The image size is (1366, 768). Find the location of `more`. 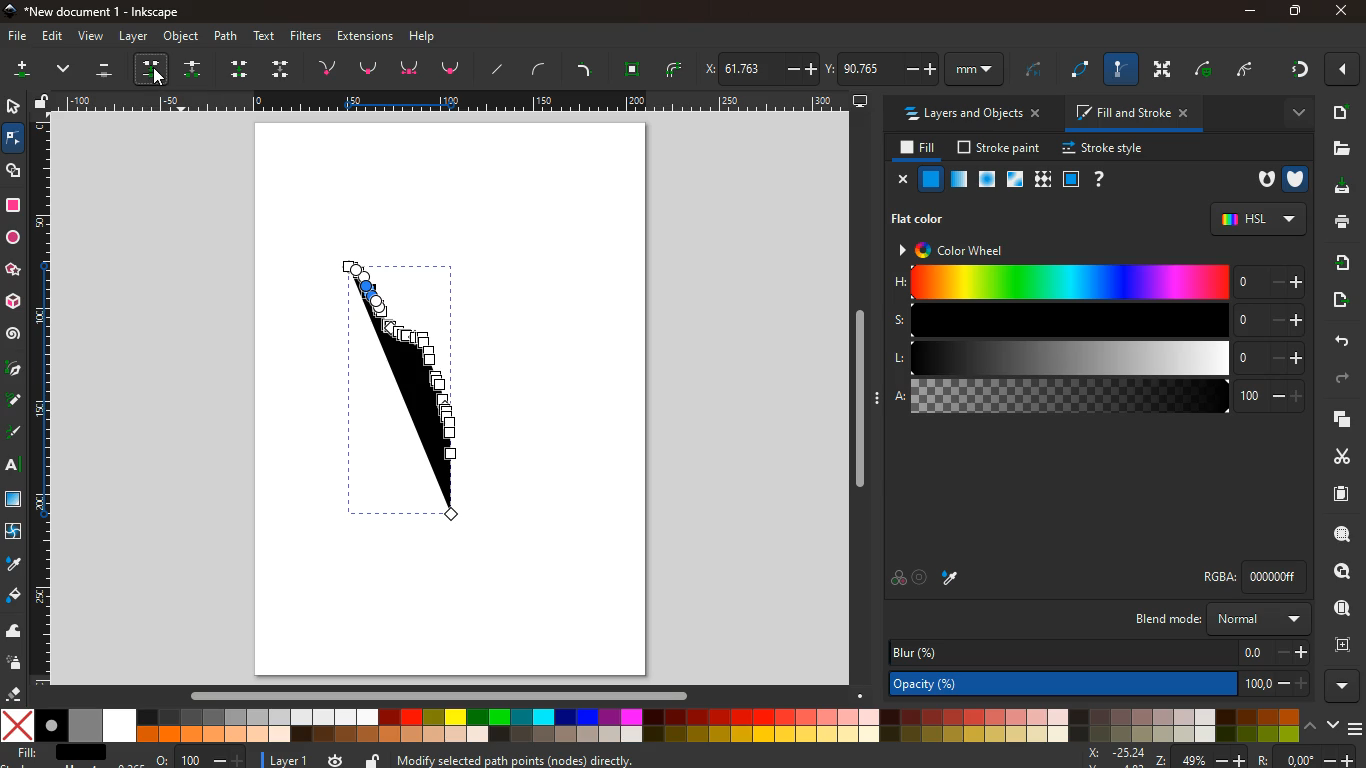

more is located at coordinates (1346, 686).